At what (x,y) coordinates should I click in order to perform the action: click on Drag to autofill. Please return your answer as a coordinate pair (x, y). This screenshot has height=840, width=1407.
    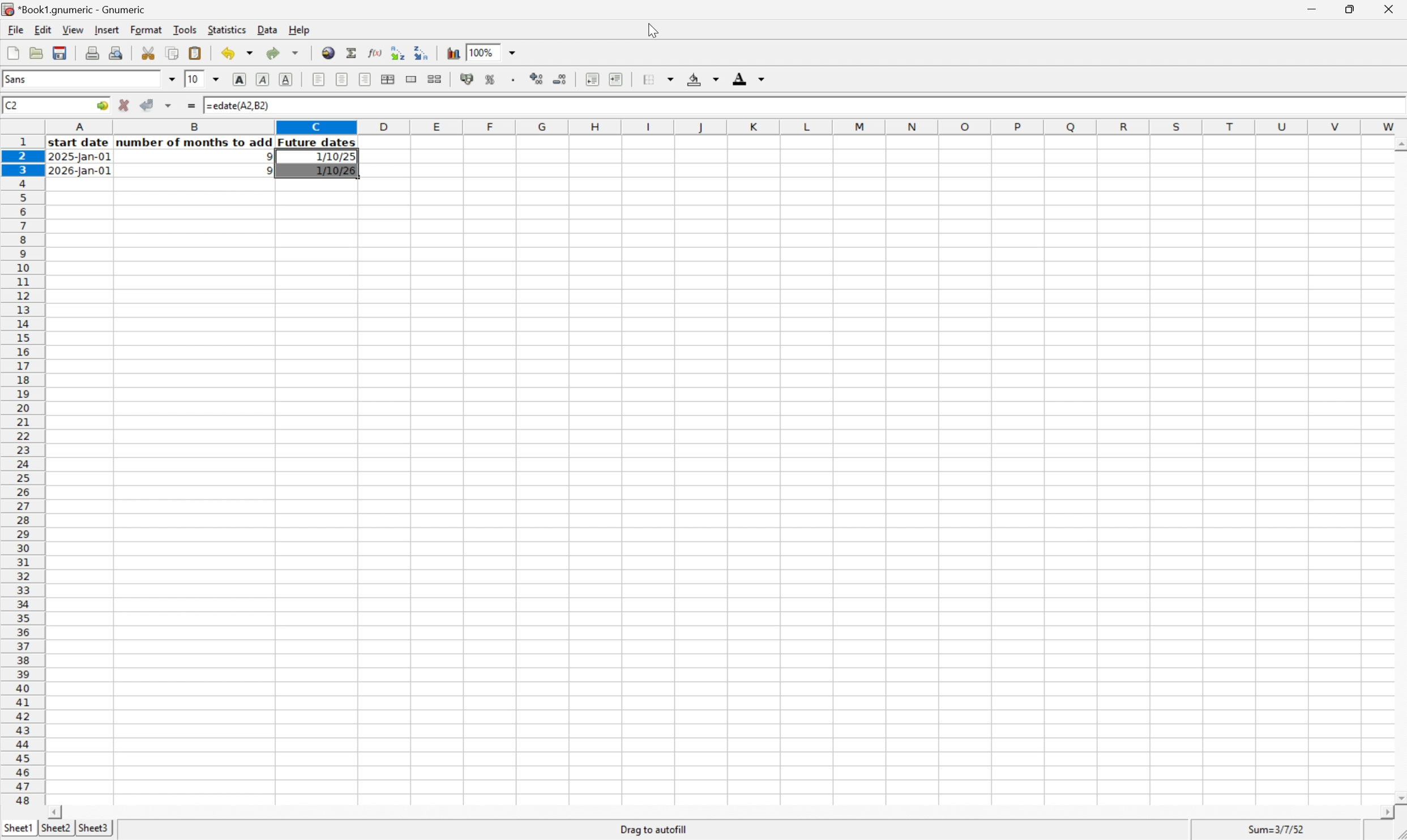
    Looking at the image, I should click on (656, 829).